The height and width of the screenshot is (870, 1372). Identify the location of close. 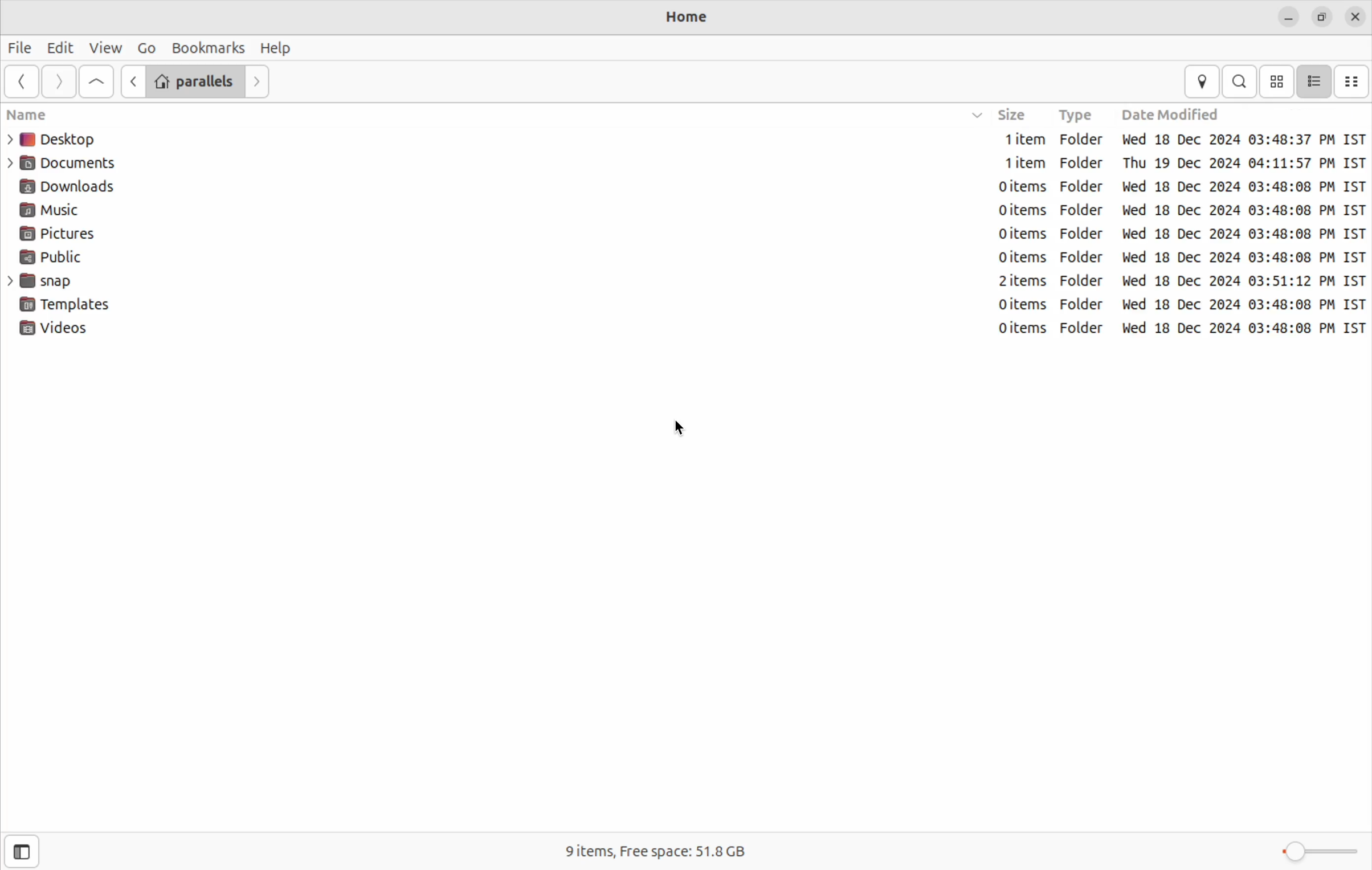
(1357, 18).